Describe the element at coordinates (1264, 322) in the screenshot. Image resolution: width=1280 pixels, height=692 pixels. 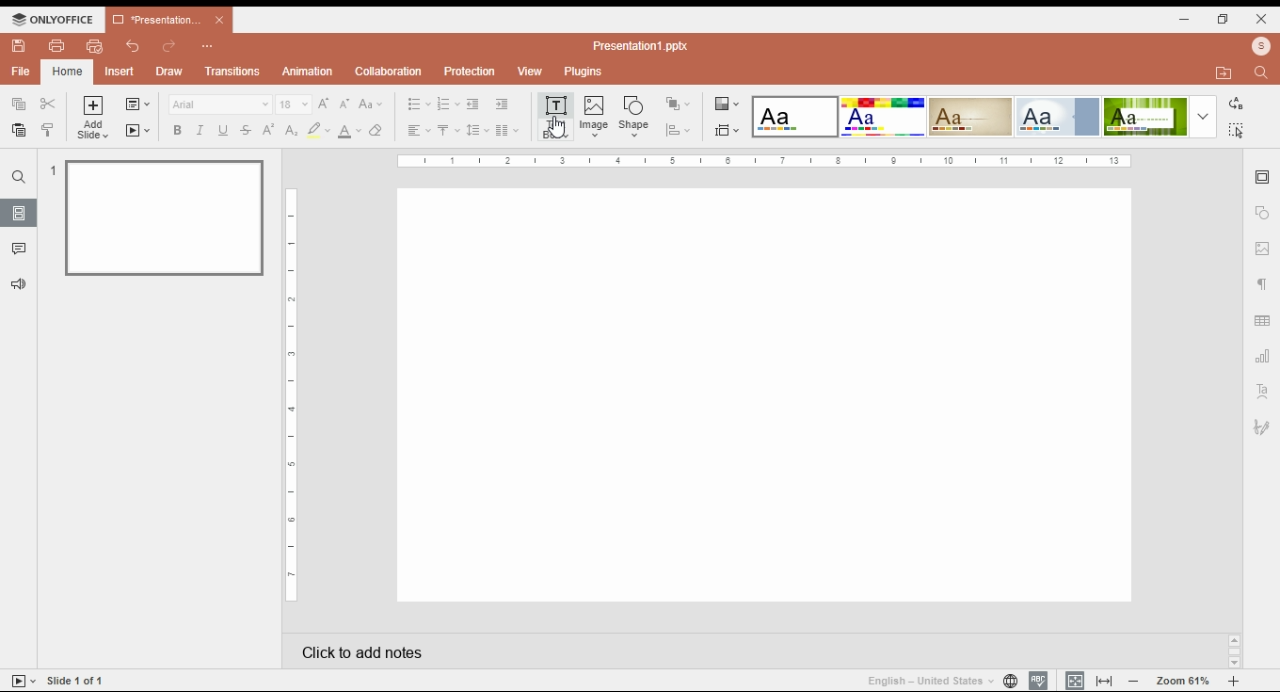
I see `table settings` at that location.